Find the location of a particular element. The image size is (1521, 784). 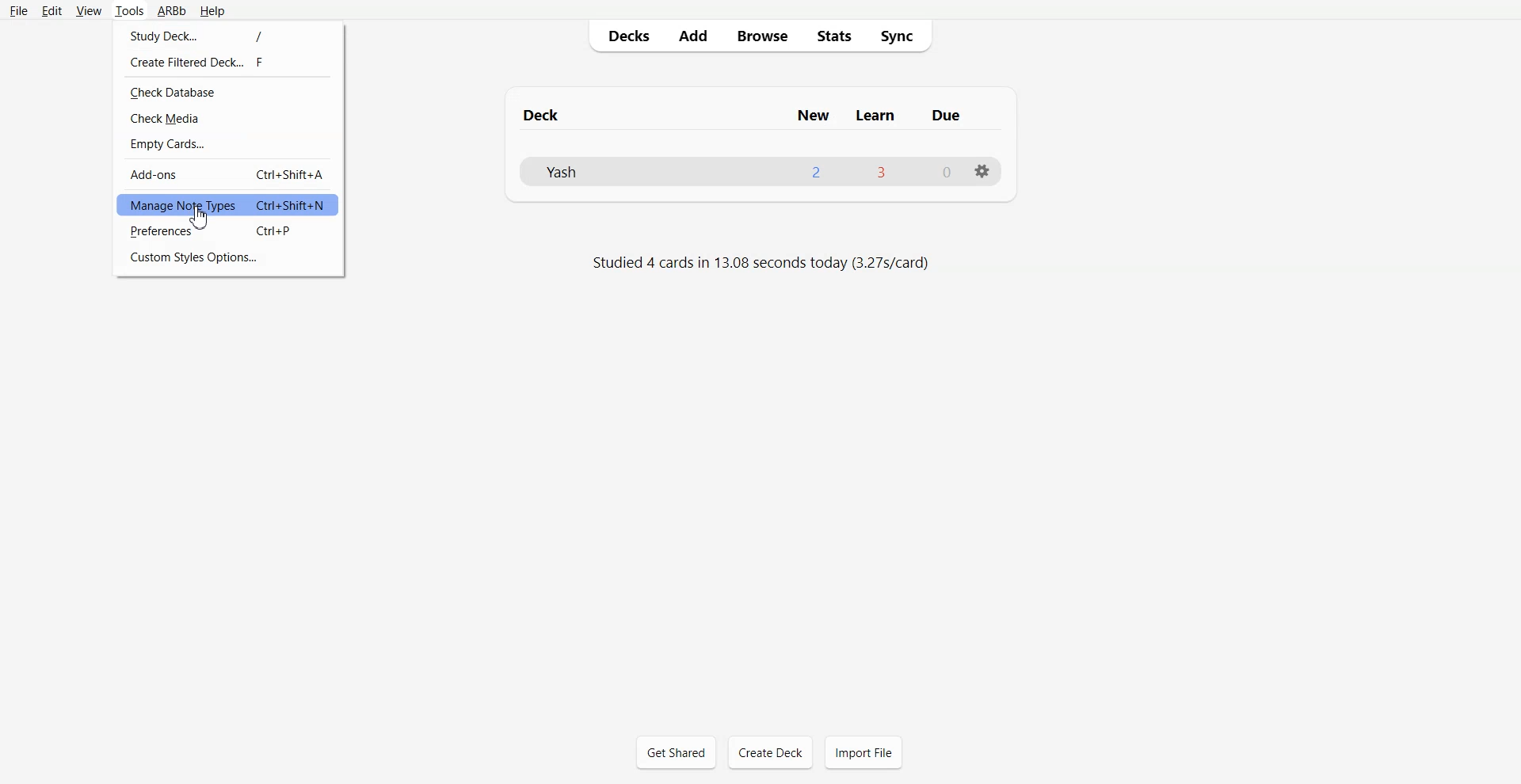

Edit is located at coordinates (51, 10).